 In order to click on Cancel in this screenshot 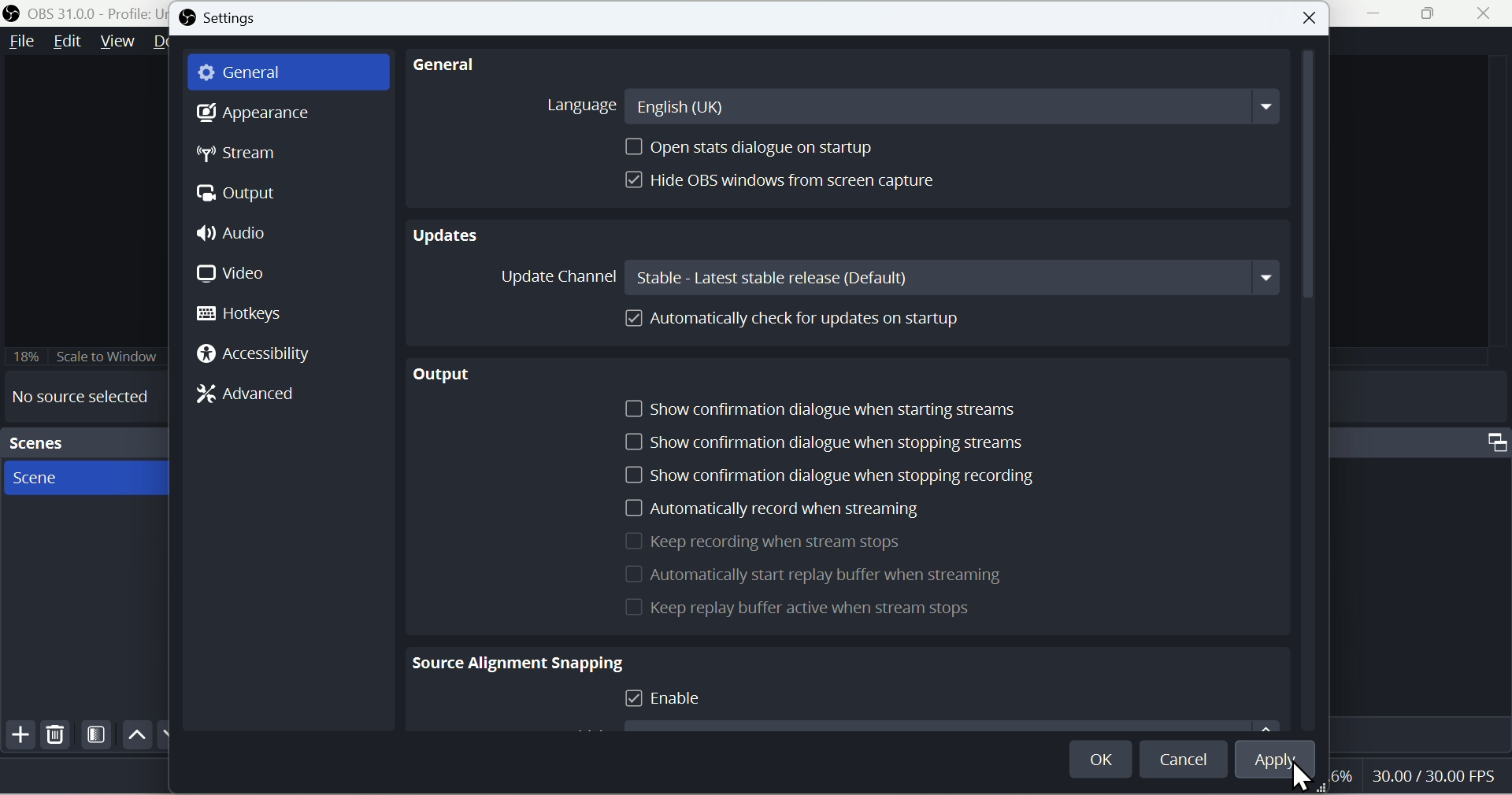, I will do `click(1184, 761)`.